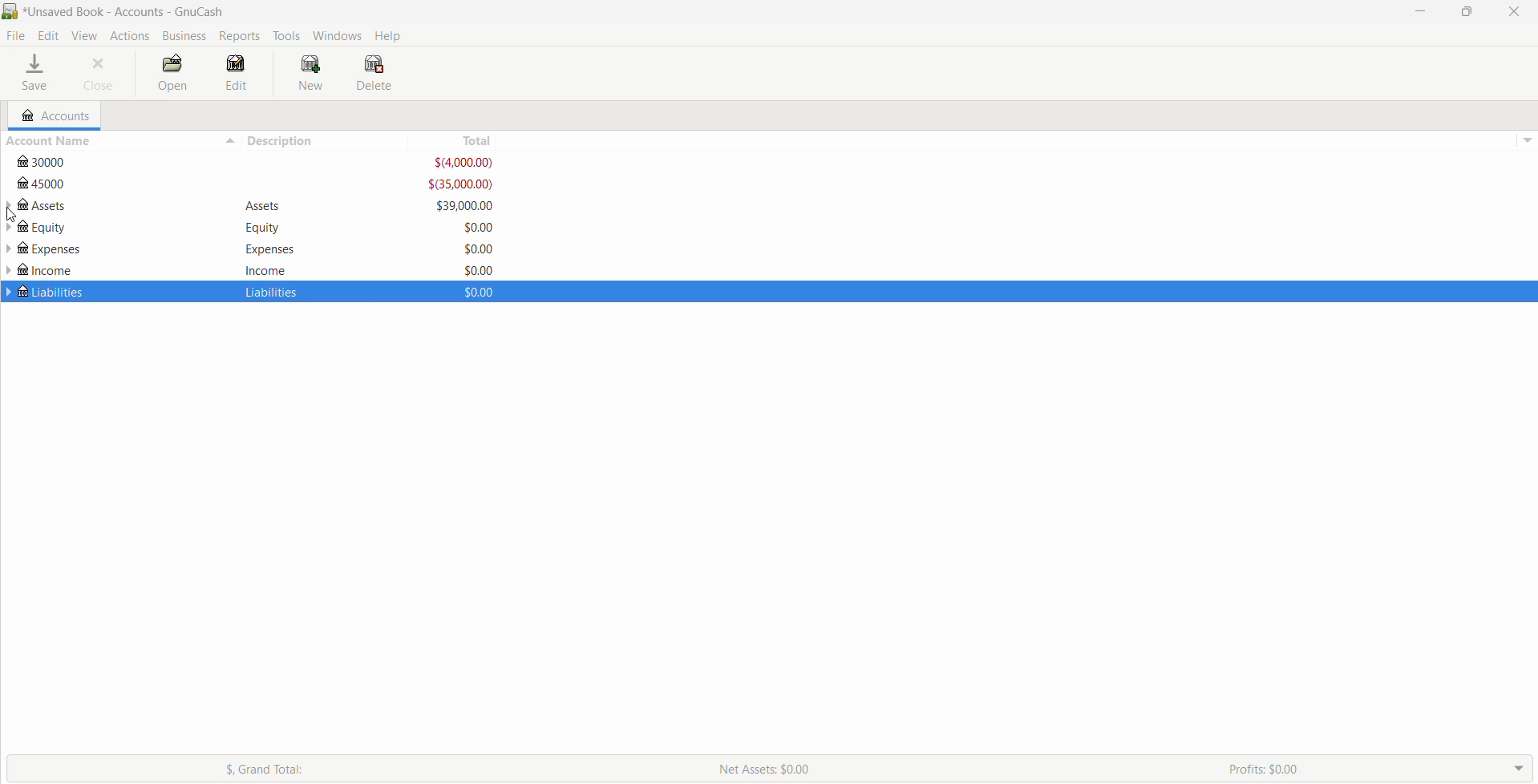 The height and width of the screenshot is (784, 1538). I want to click on $0.00, so click(479, 227).